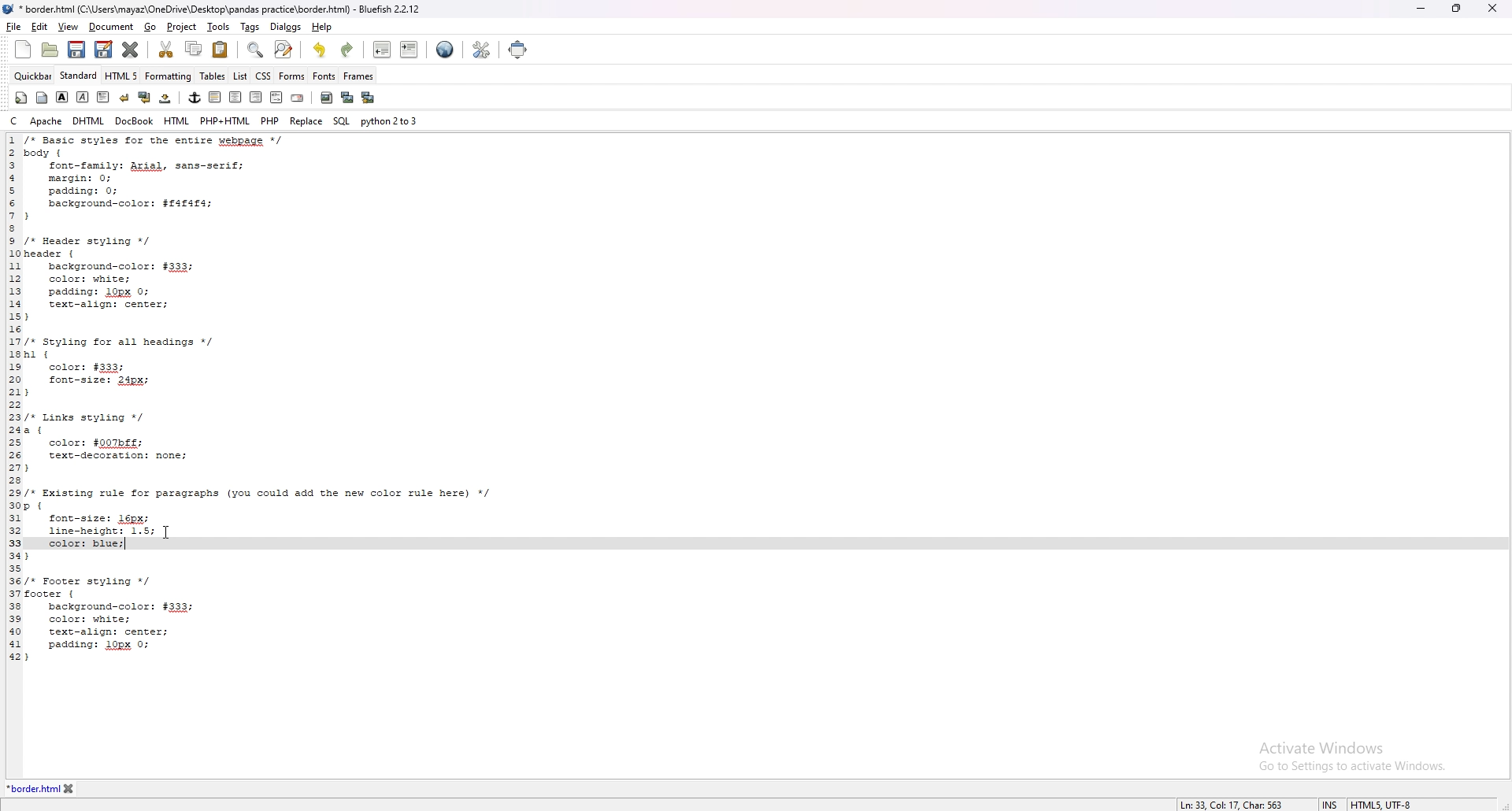  What do you see at coordinates (327, 98) in the screenshot?
I see `insert image` at bounding box center [327, 98].